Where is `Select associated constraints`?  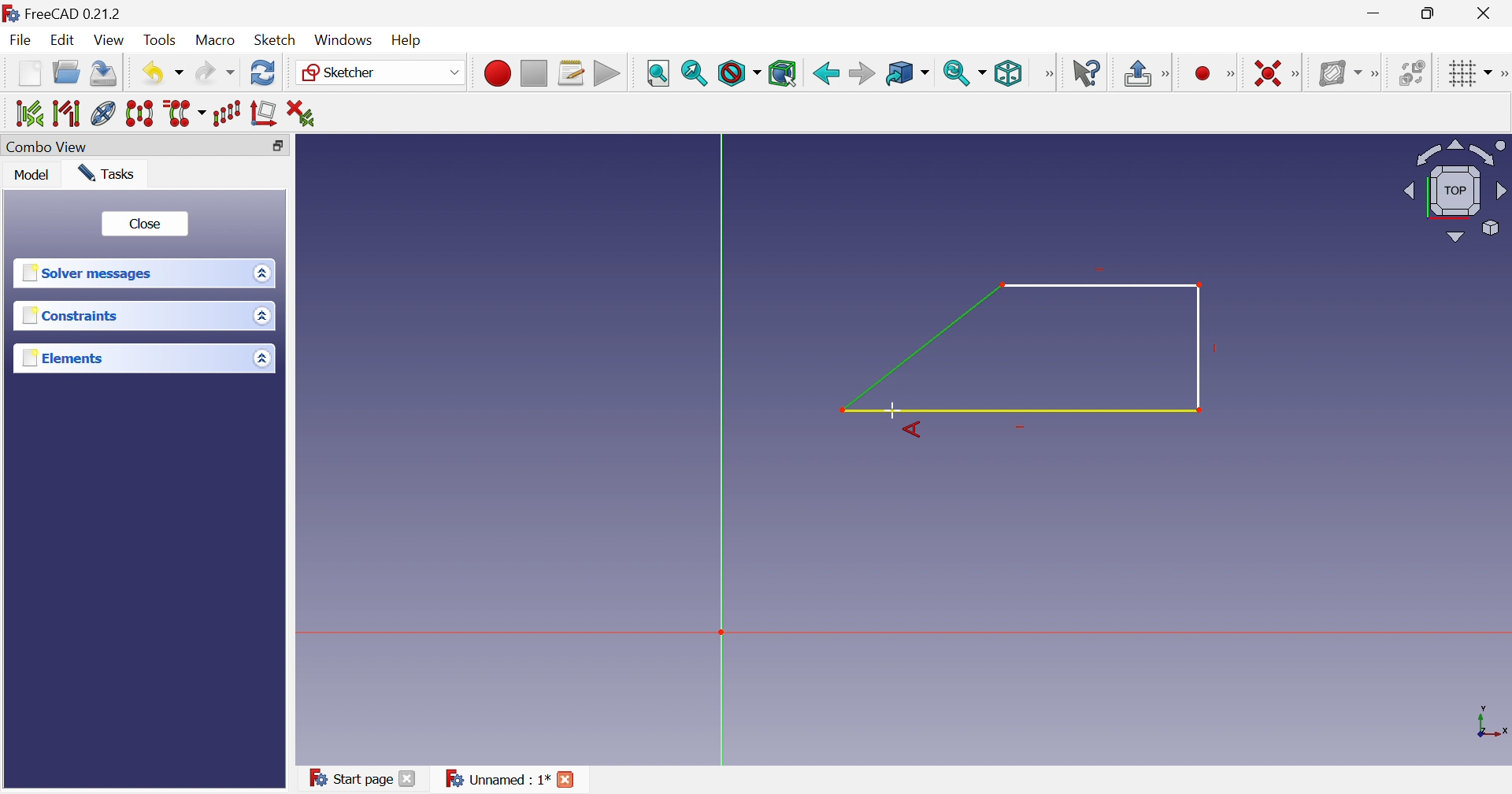 Select associated constraints is located at coordinates (23, 113).